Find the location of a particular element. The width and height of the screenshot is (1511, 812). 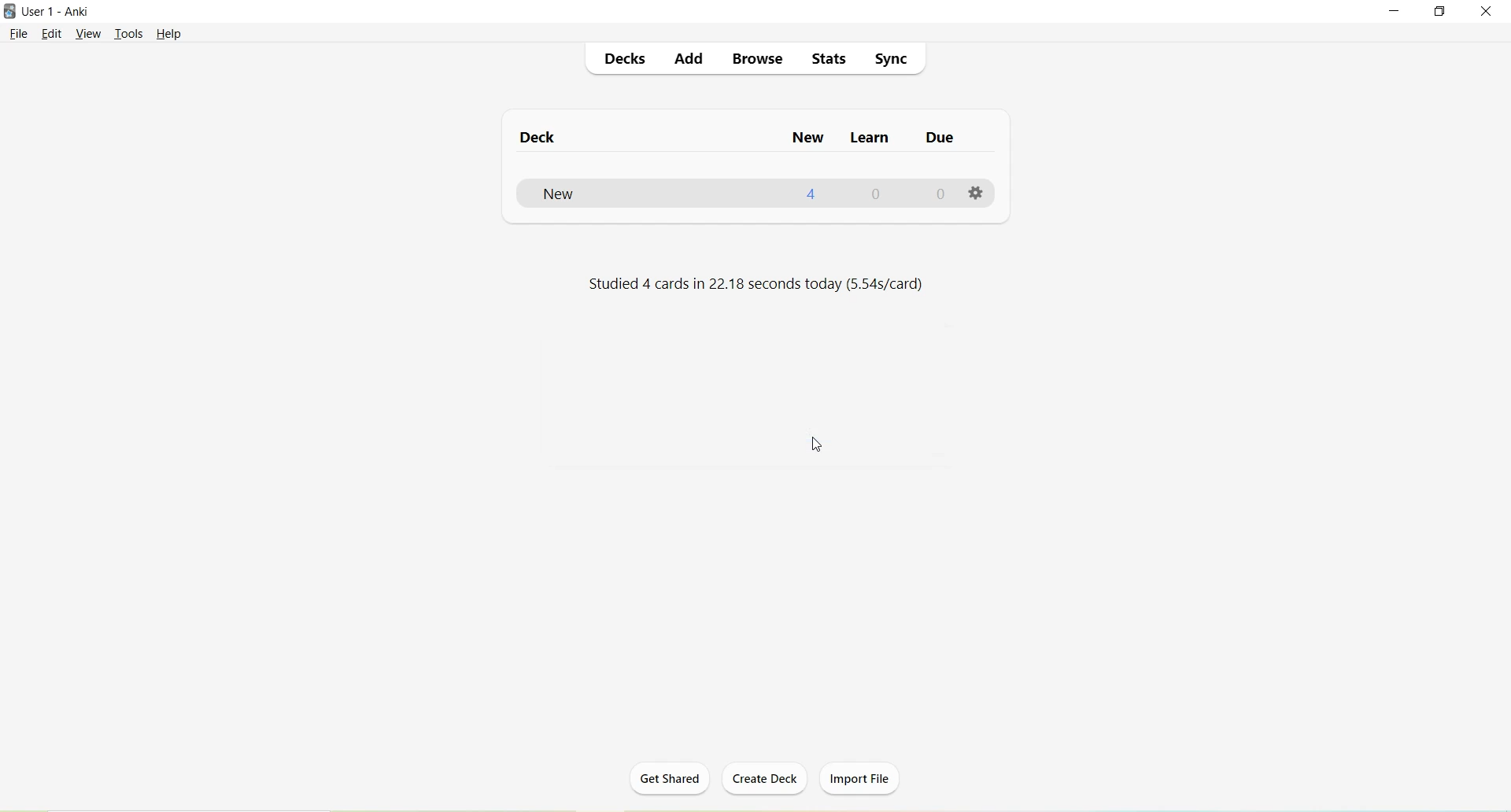

View is located at coordinates (87, 34).